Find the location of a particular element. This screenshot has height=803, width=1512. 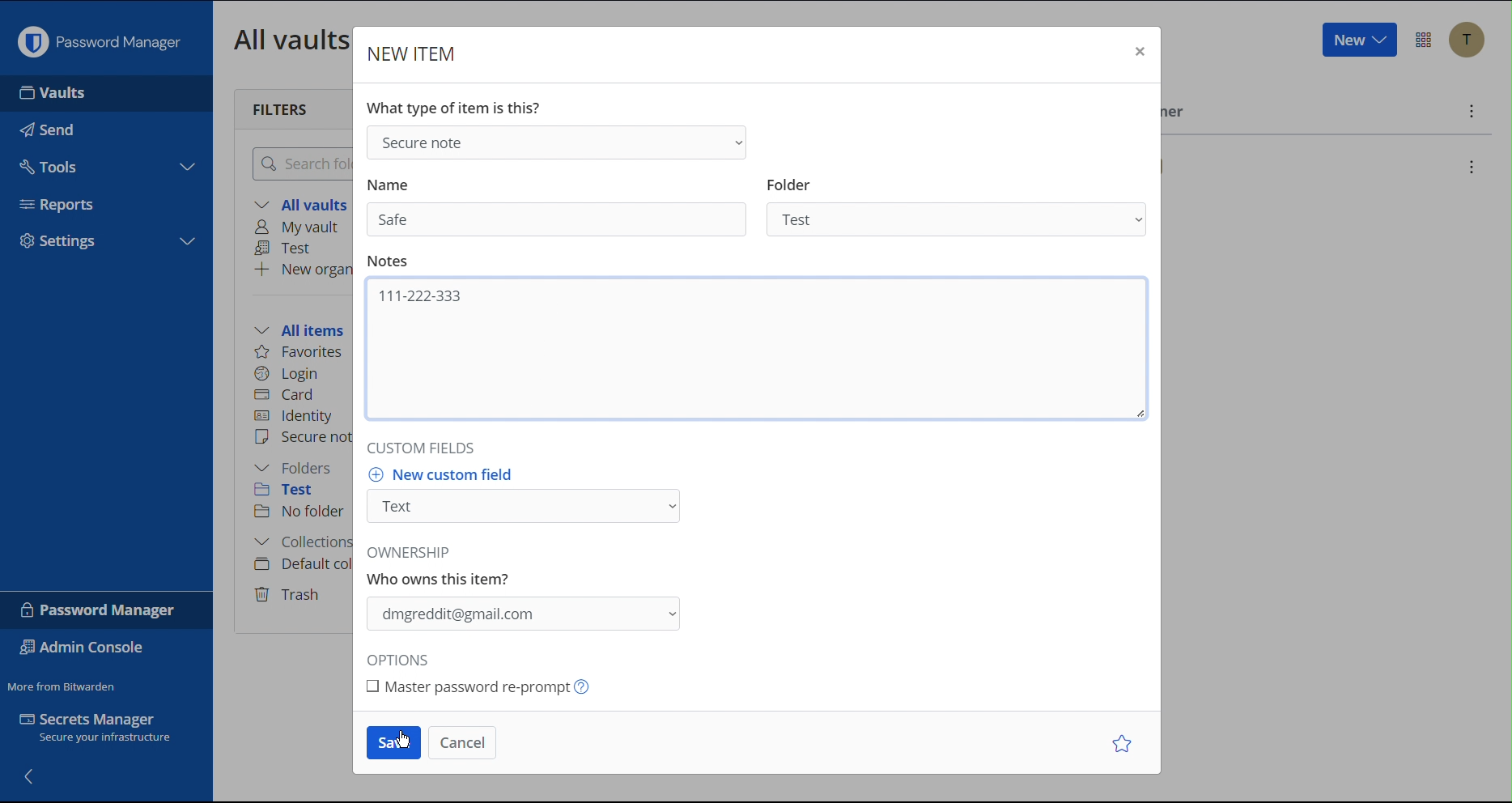

Secrets Manager is located at coordinates (105, 731).